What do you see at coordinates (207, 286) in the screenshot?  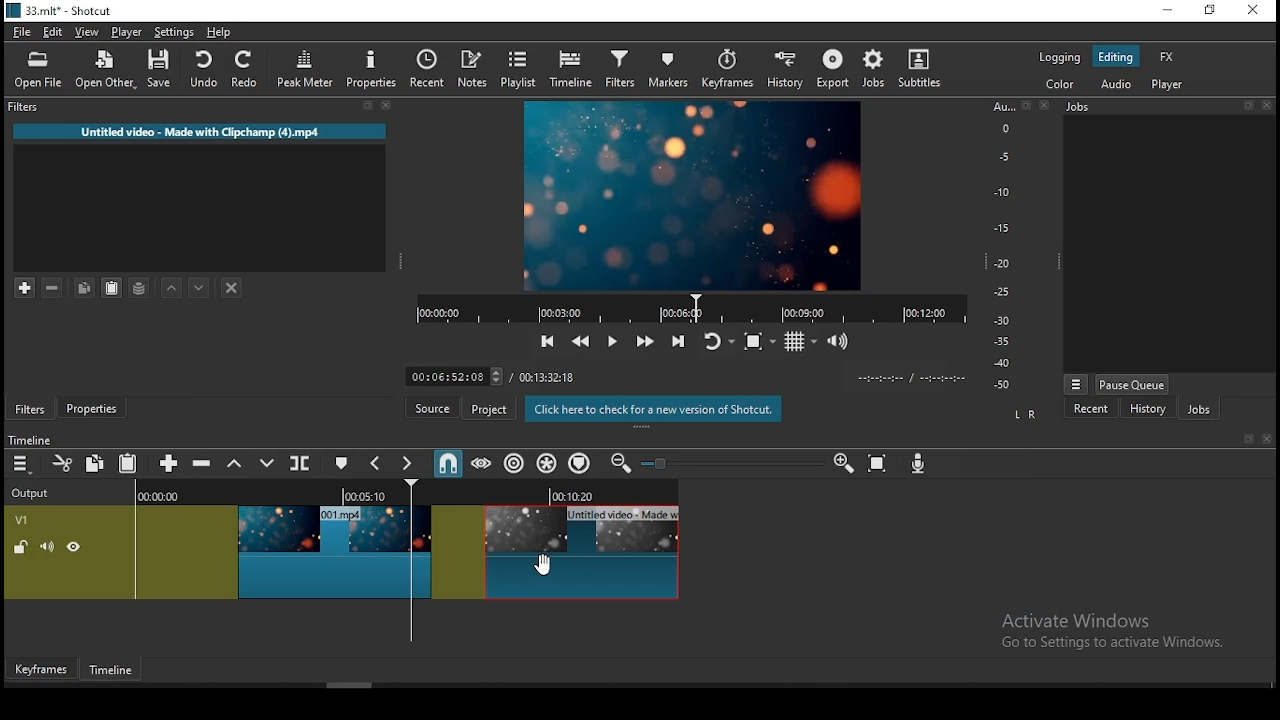 I see `move filter down` at bounding box center [207, 286].